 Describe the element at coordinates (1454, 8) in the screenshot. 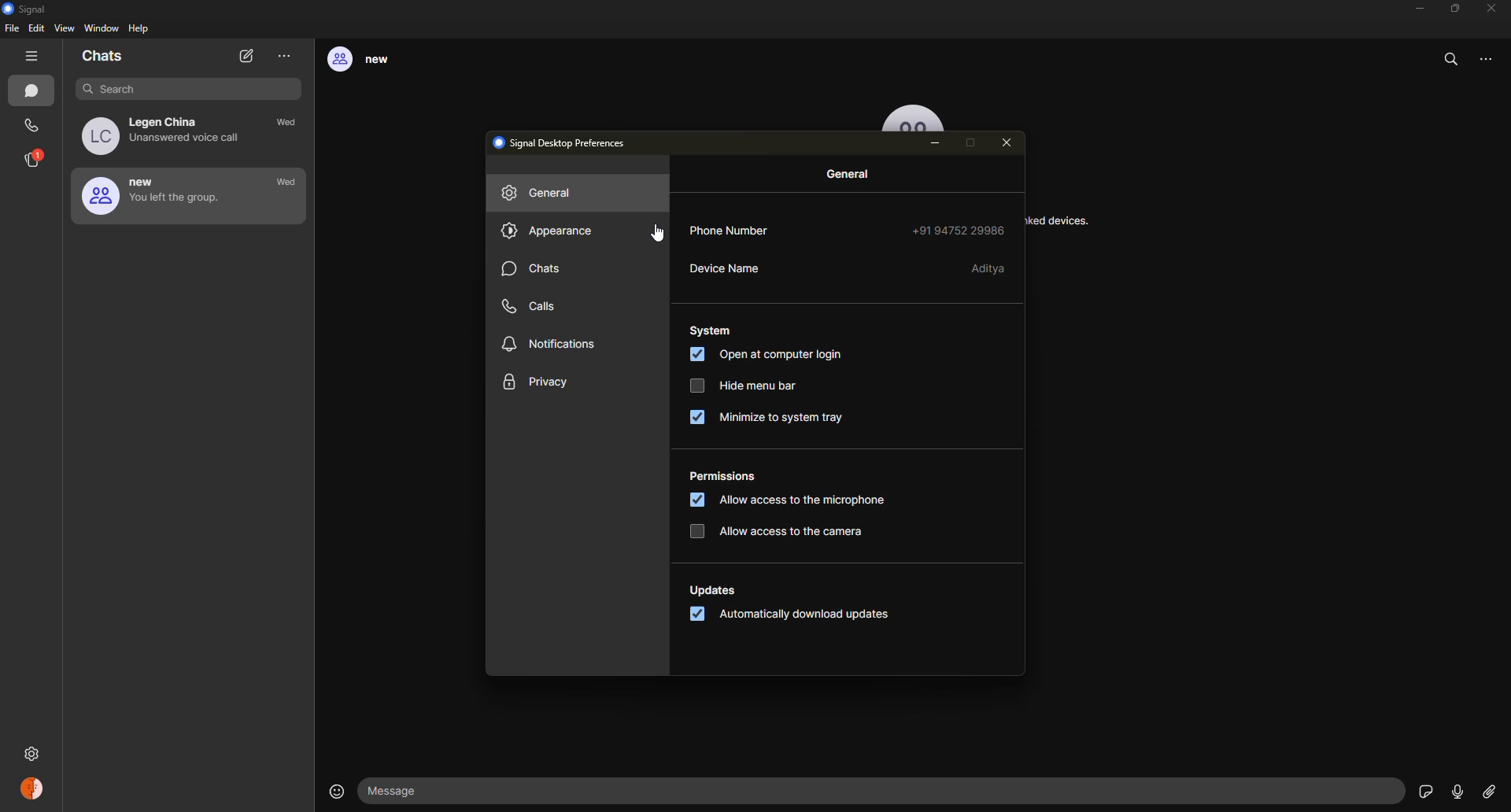

I see `maximize` at that location.